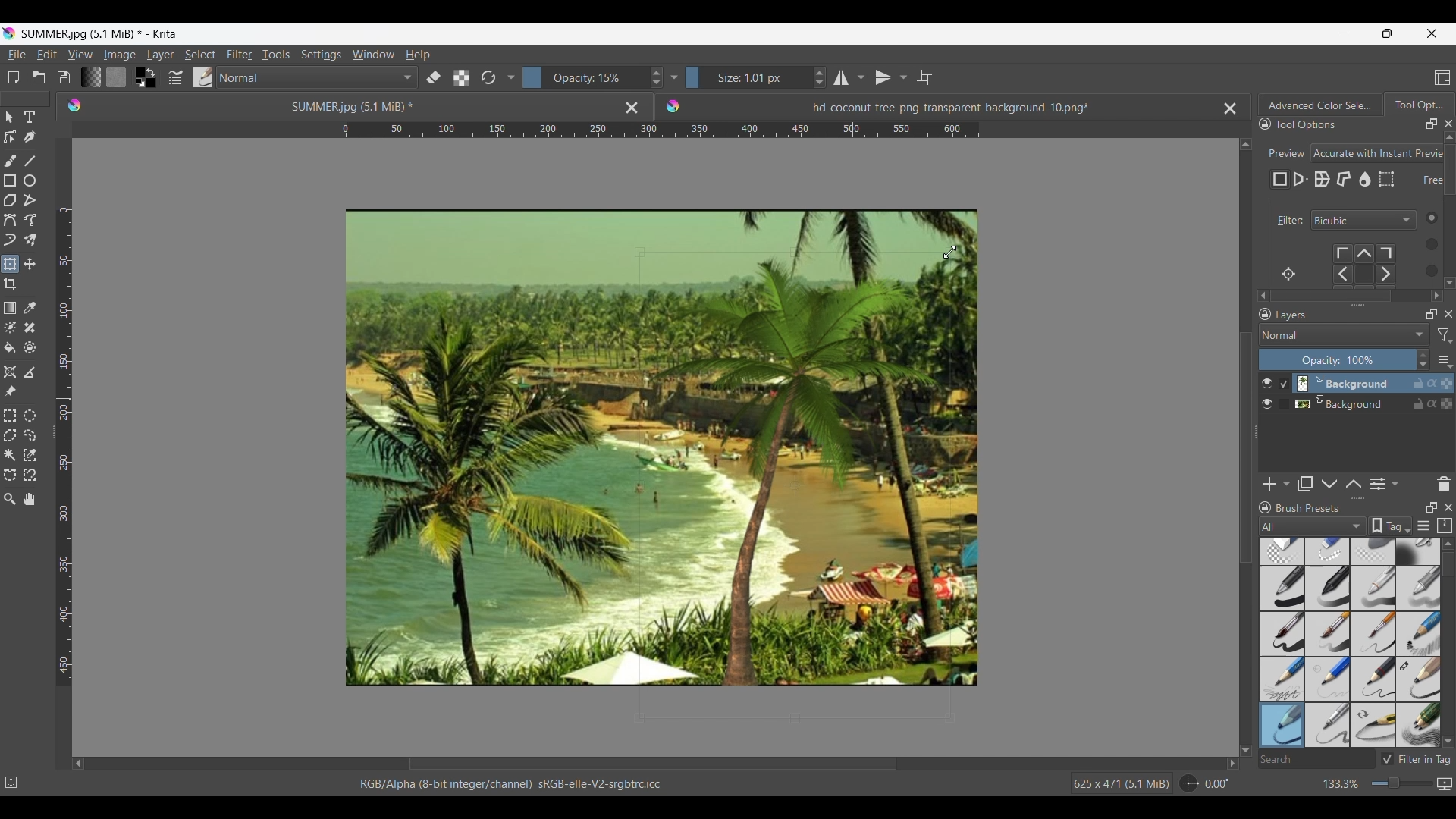 The width and height of the screenshot is (1456, 819). Describe the element at coordinates (1228, 763) in the screenshot. I see `Right` at that location.